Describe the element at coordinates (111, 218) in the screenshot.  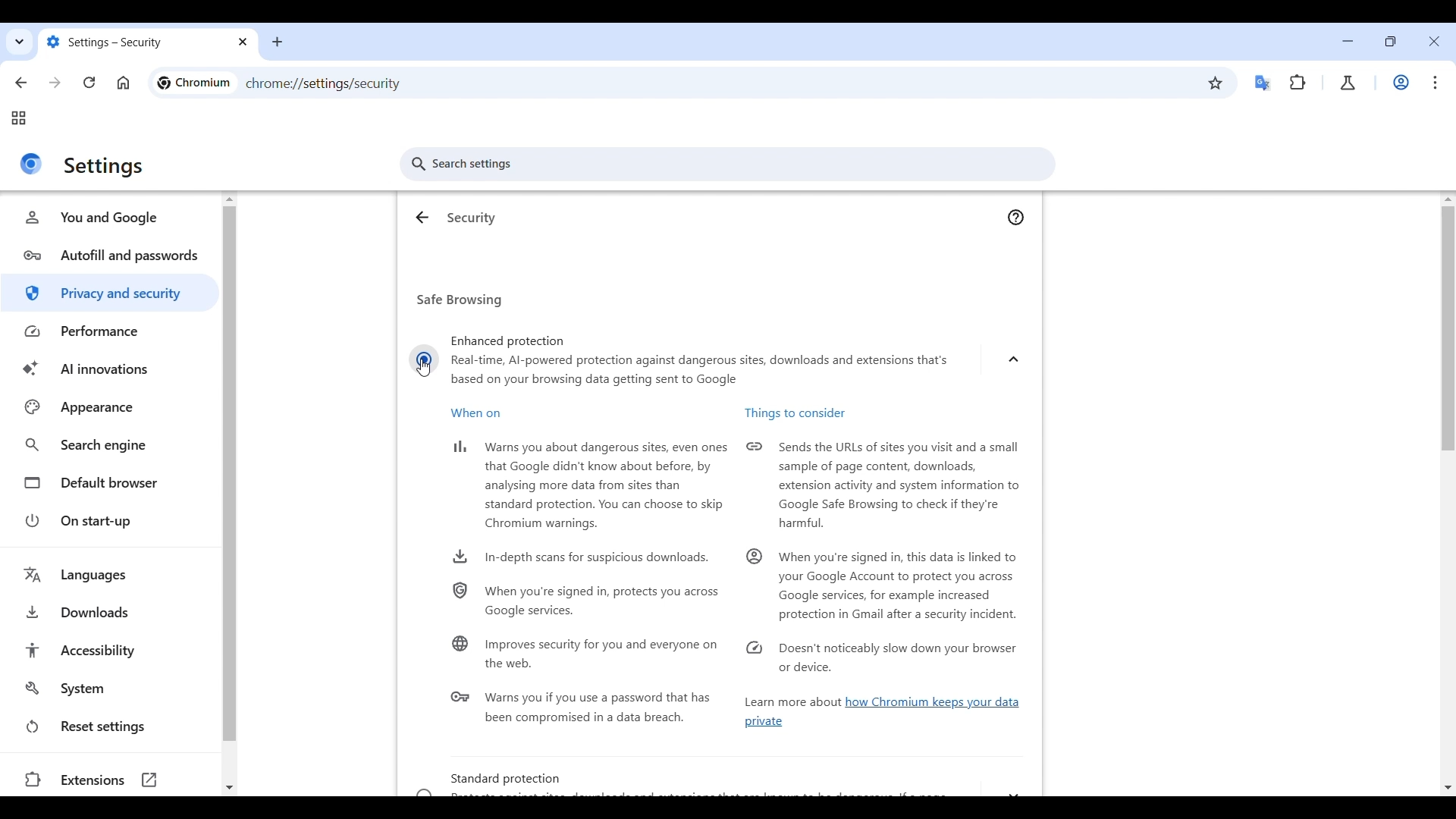
I see `You and Google` at that location.